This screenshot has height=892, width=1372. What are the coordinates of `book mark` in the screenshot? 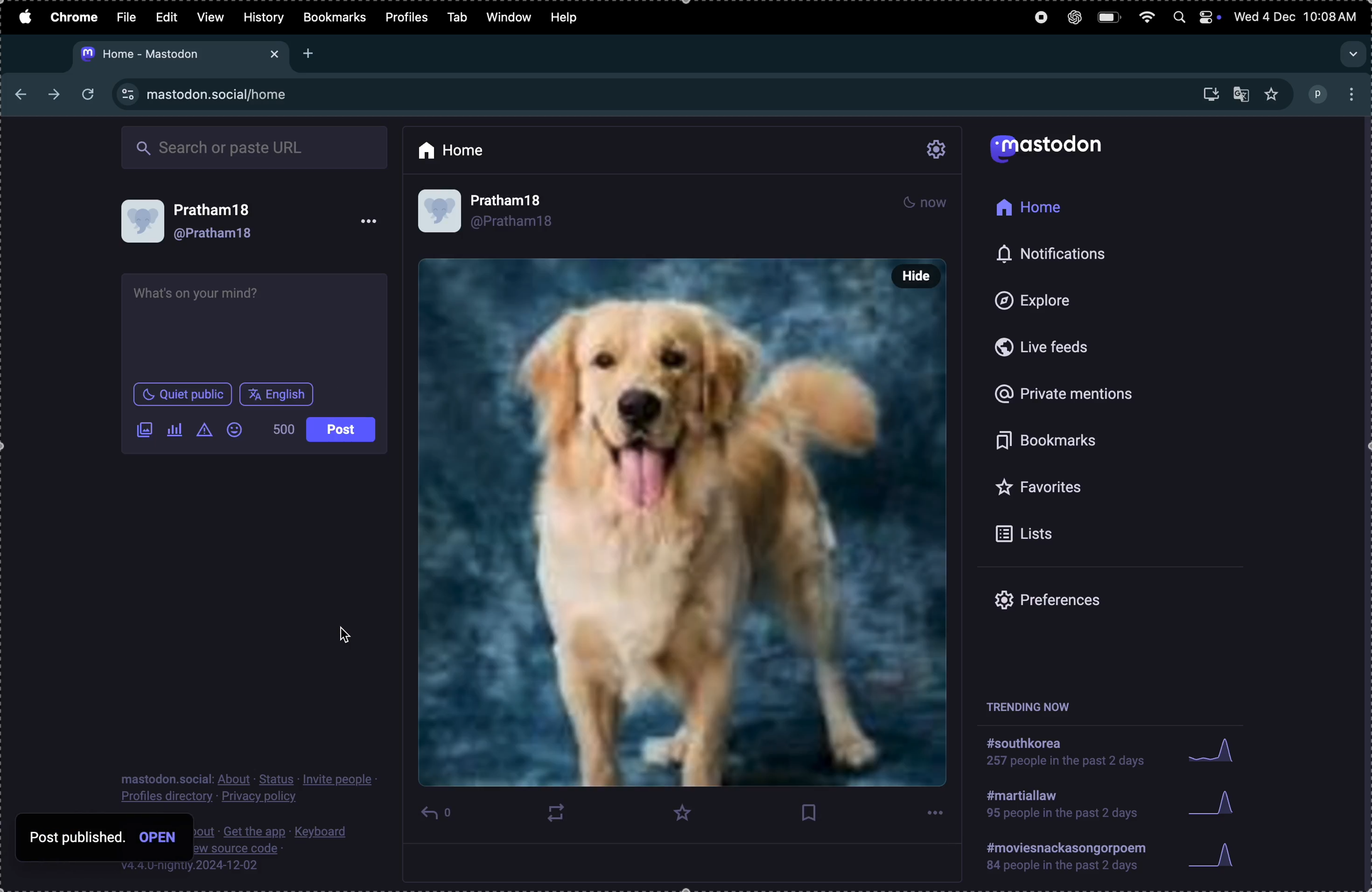 It's located at (812, 813).